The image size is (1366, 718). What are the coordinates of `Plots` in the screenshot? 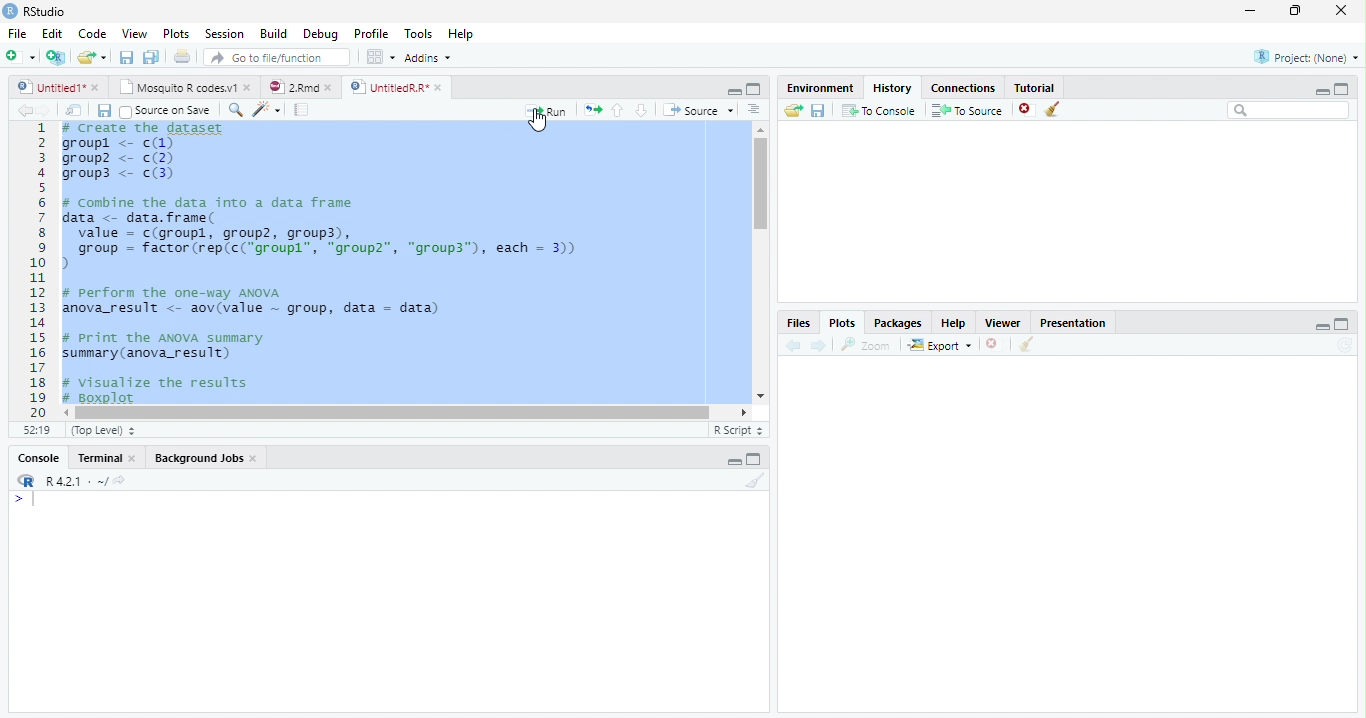 It's located at (841, 323).